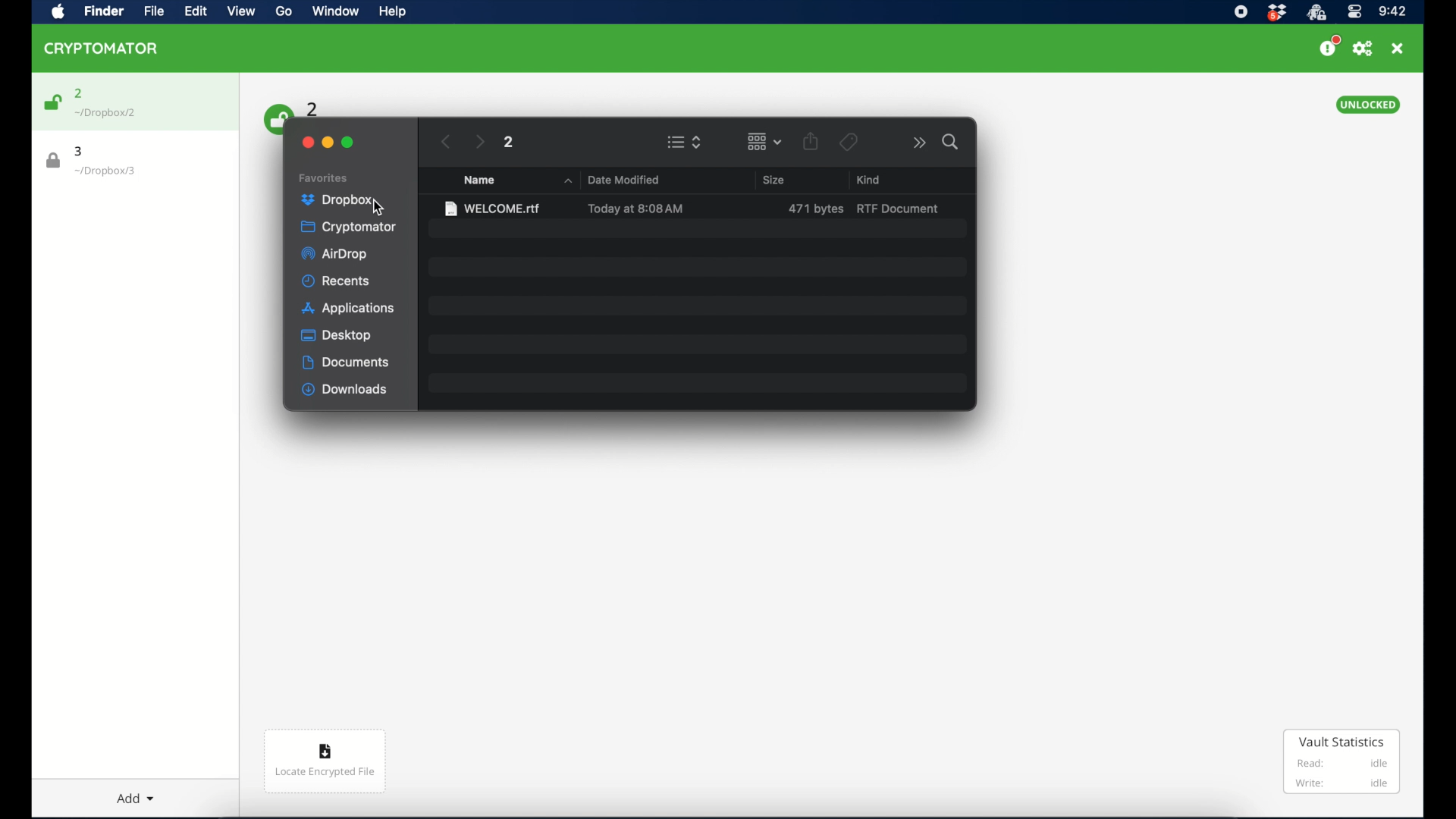  I want to click on 2, so click(509, 142).